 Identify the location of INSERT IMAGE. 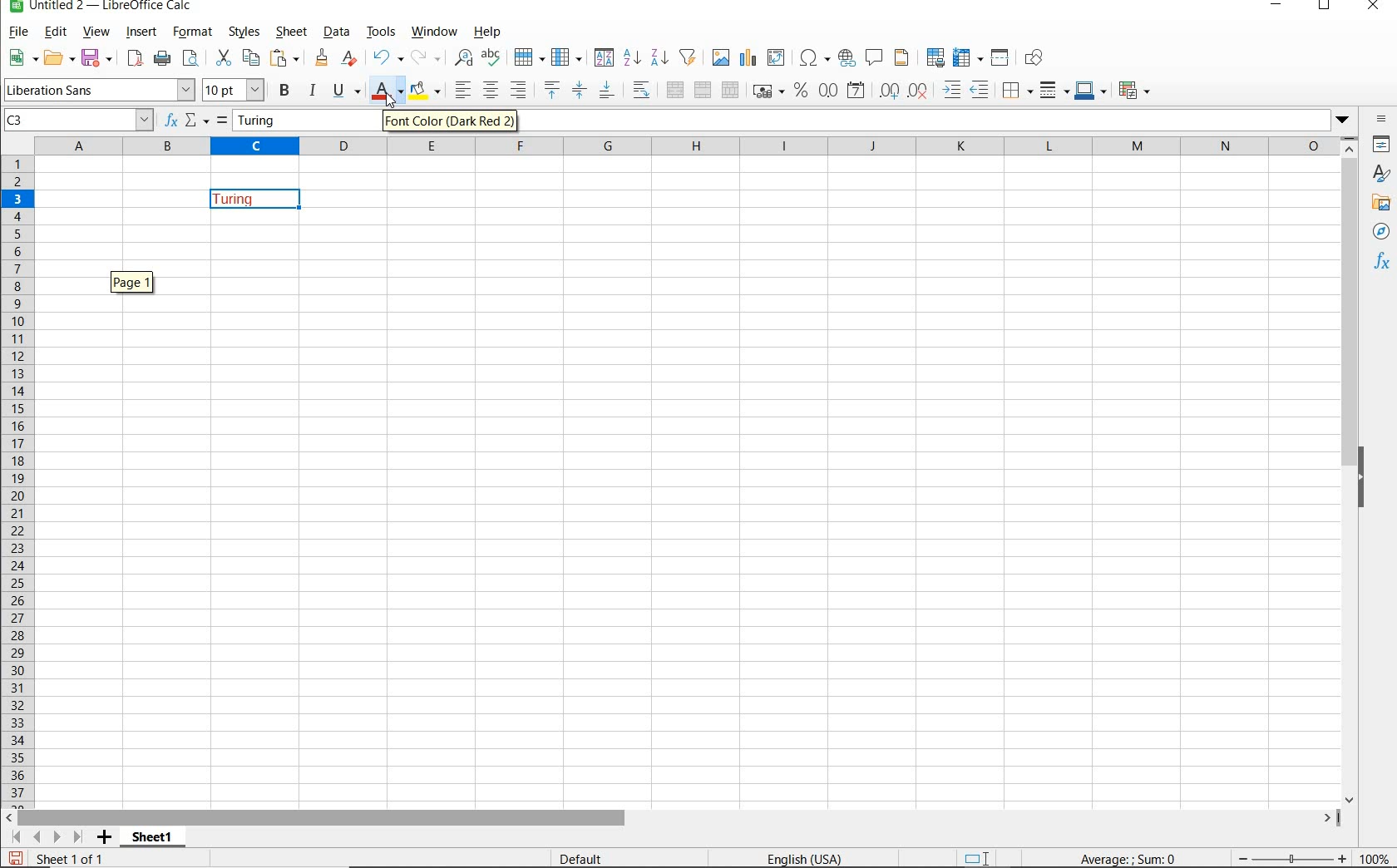
(721, 58).